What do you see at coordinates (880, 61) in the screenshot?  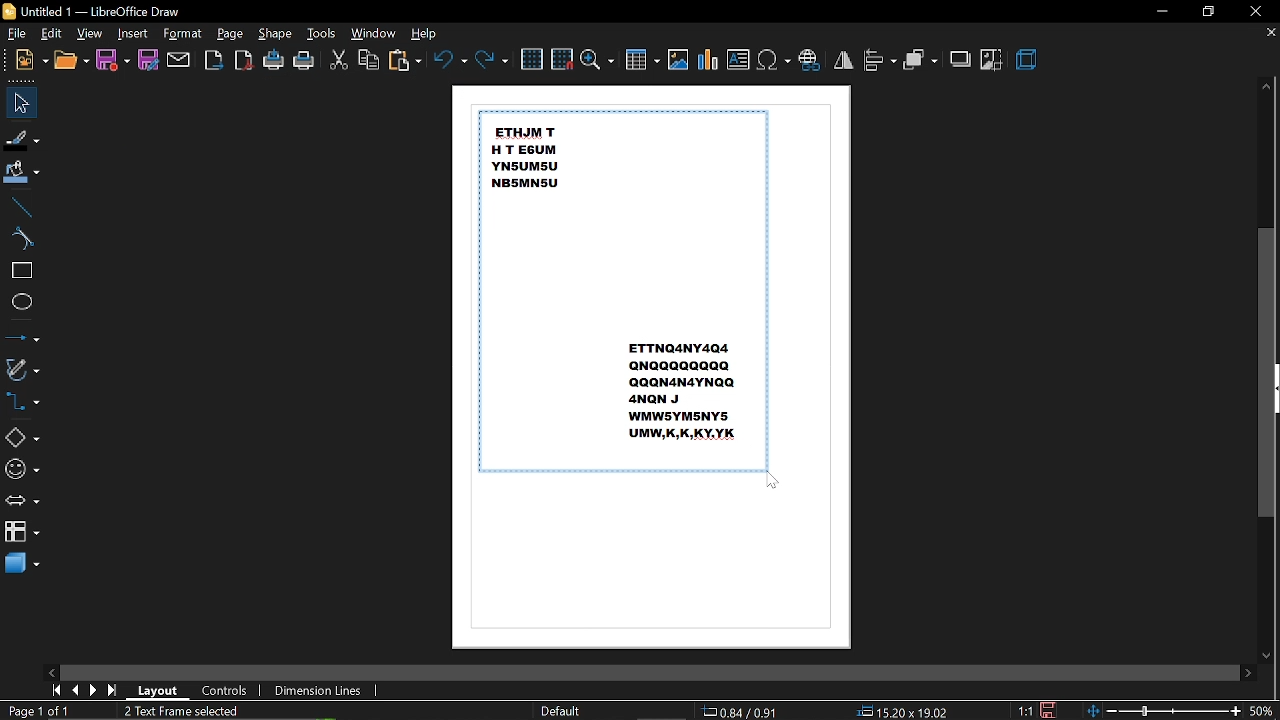 I see `align` at bounding box center [880, 61].